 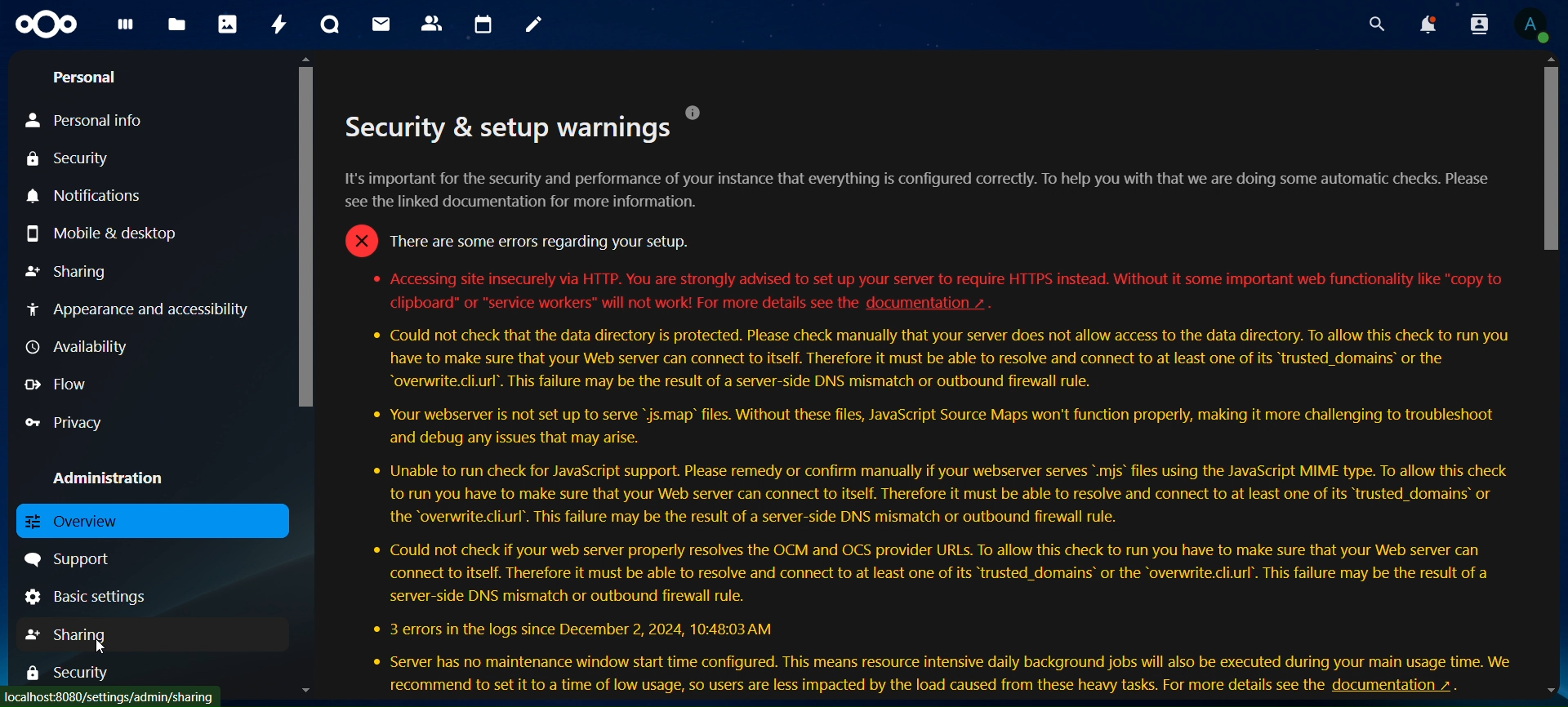 I want to click on overview, so click(x=89, y=522).